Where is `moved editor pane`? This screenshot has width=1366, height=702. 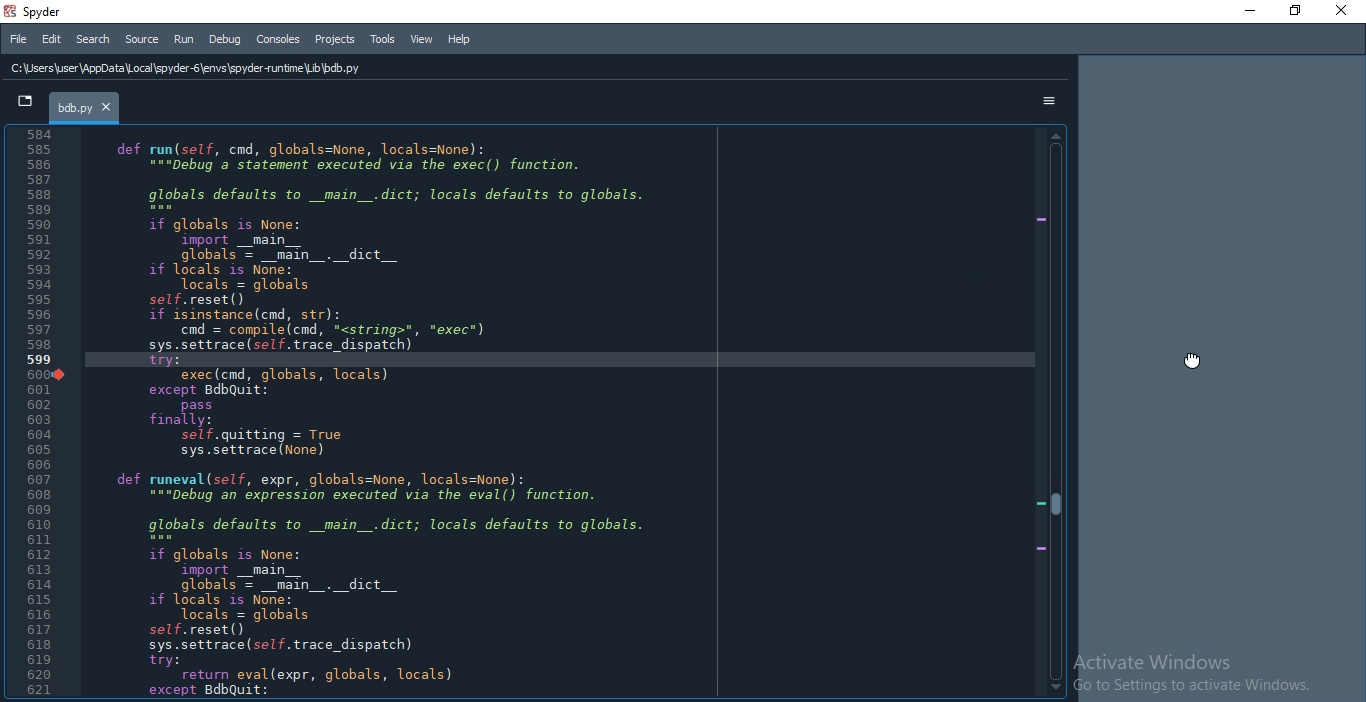 moved editor pane is located at coordinates (537, 413).